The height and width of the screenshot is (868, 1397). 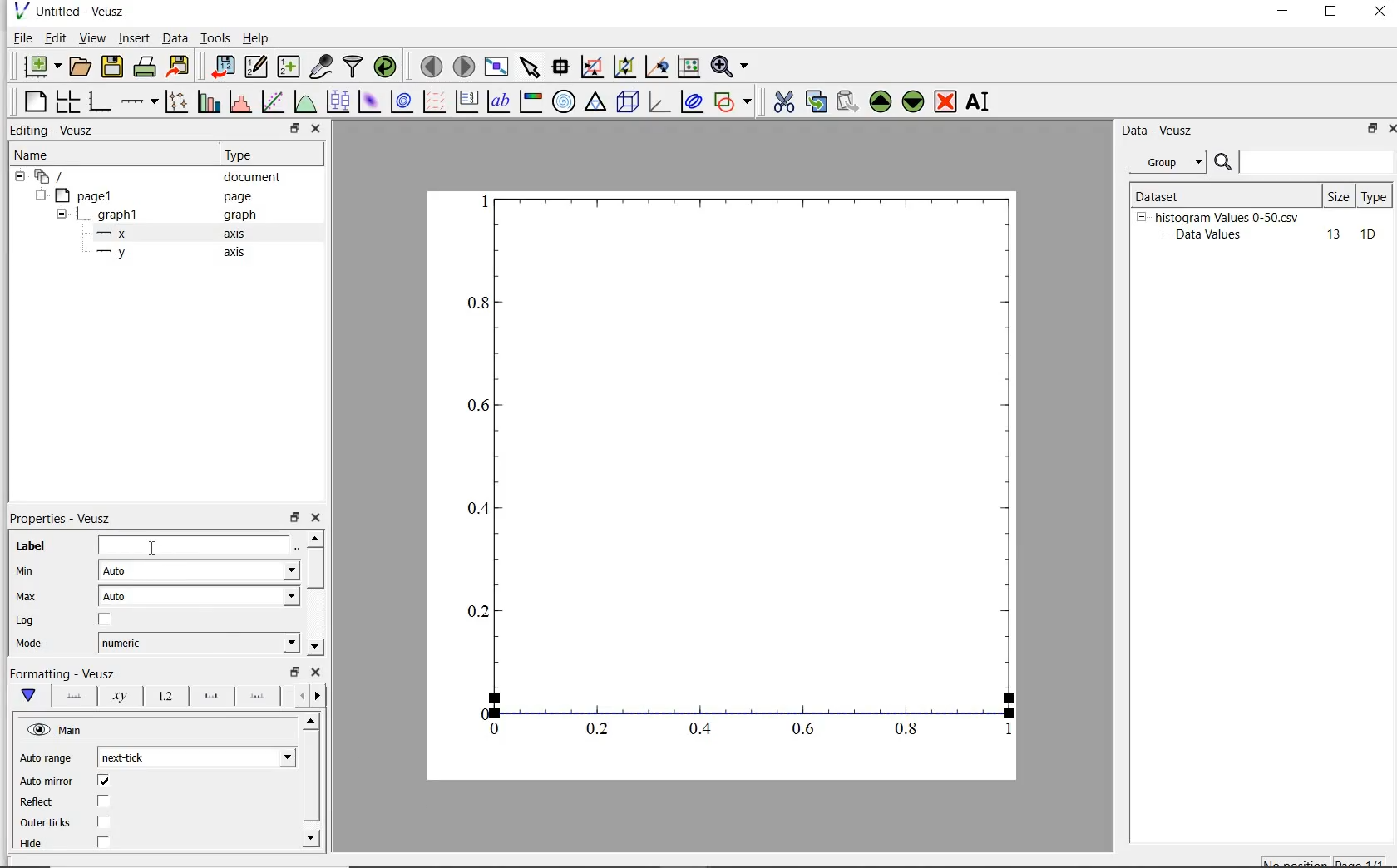 I want to click on hide, so click(x=39, y=195).